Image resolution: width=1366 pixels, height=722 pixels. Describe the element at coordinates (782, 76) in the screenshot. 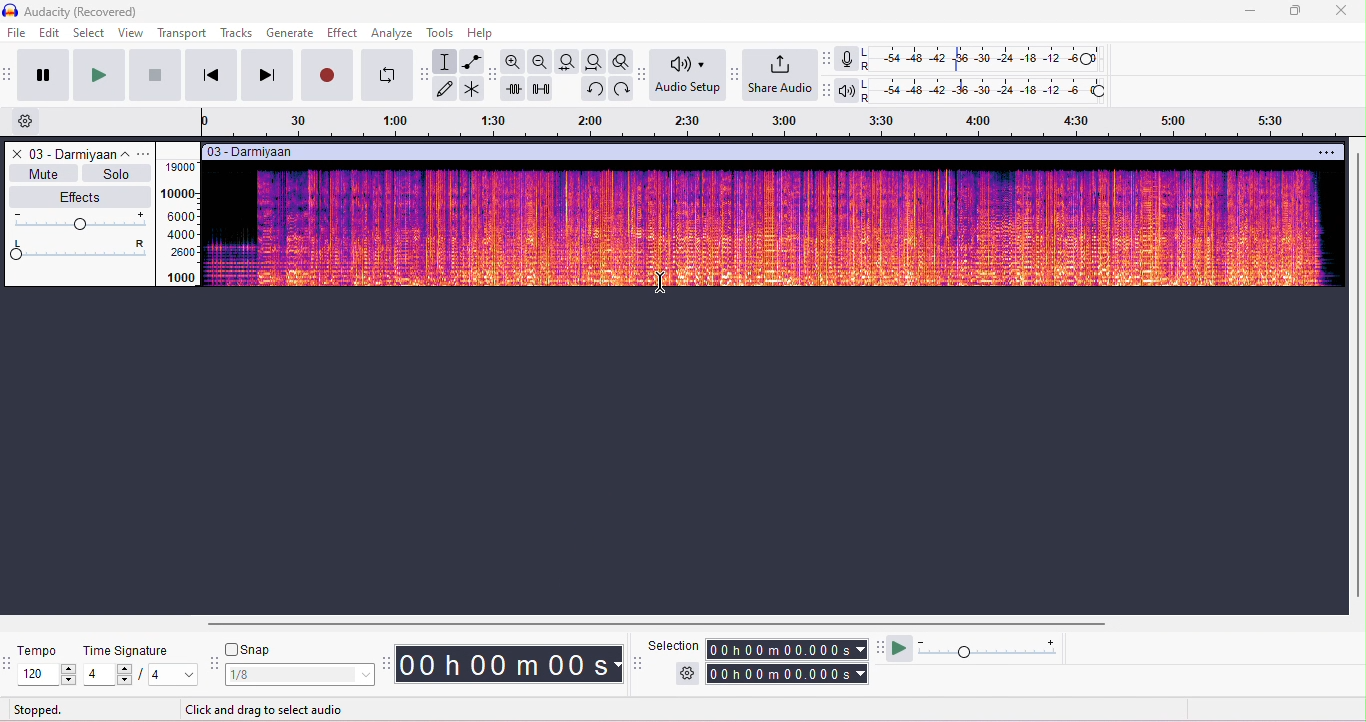

I see `share audio` at that location.